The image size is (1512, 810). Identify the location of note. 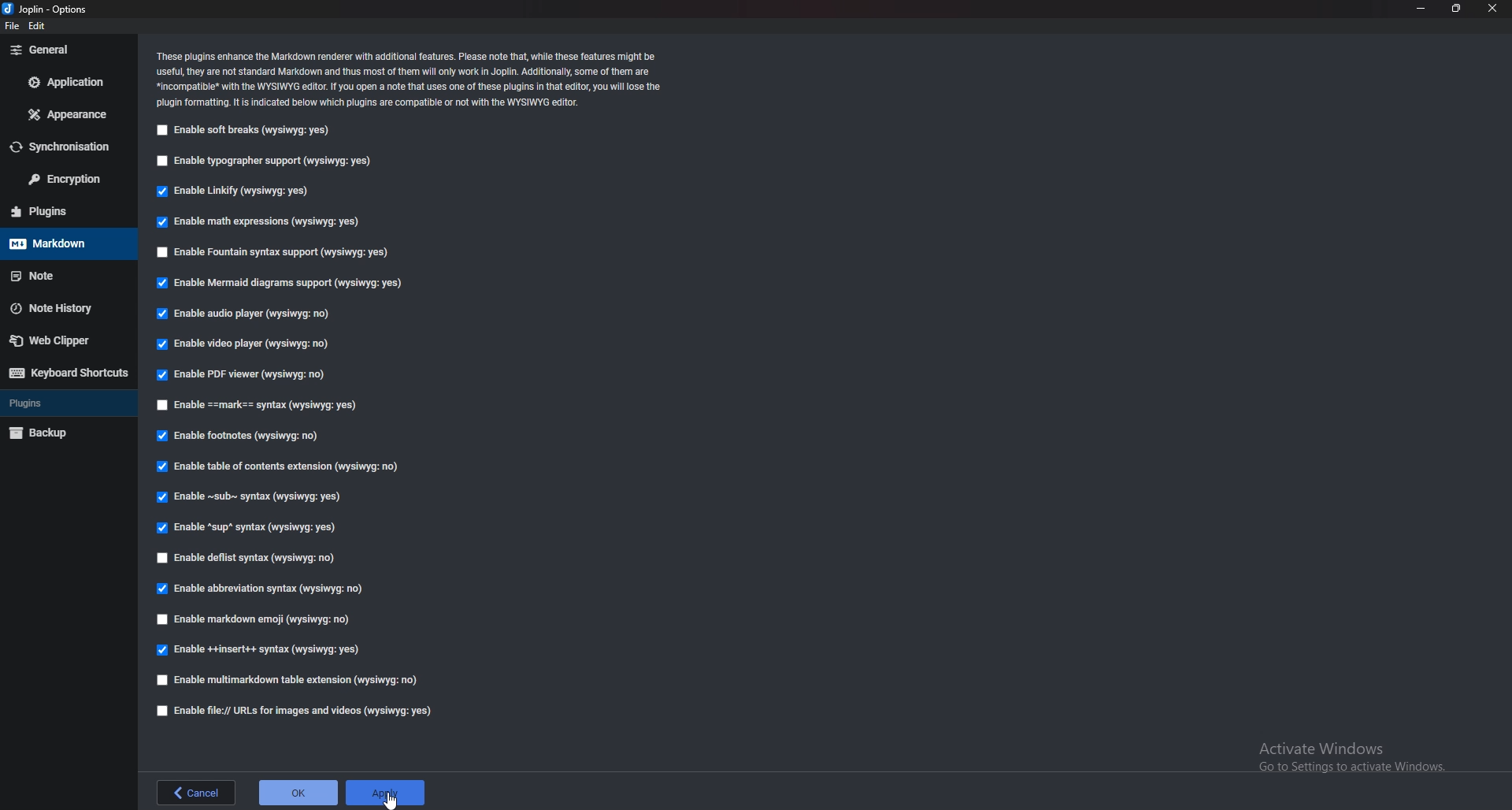
(61, 276).